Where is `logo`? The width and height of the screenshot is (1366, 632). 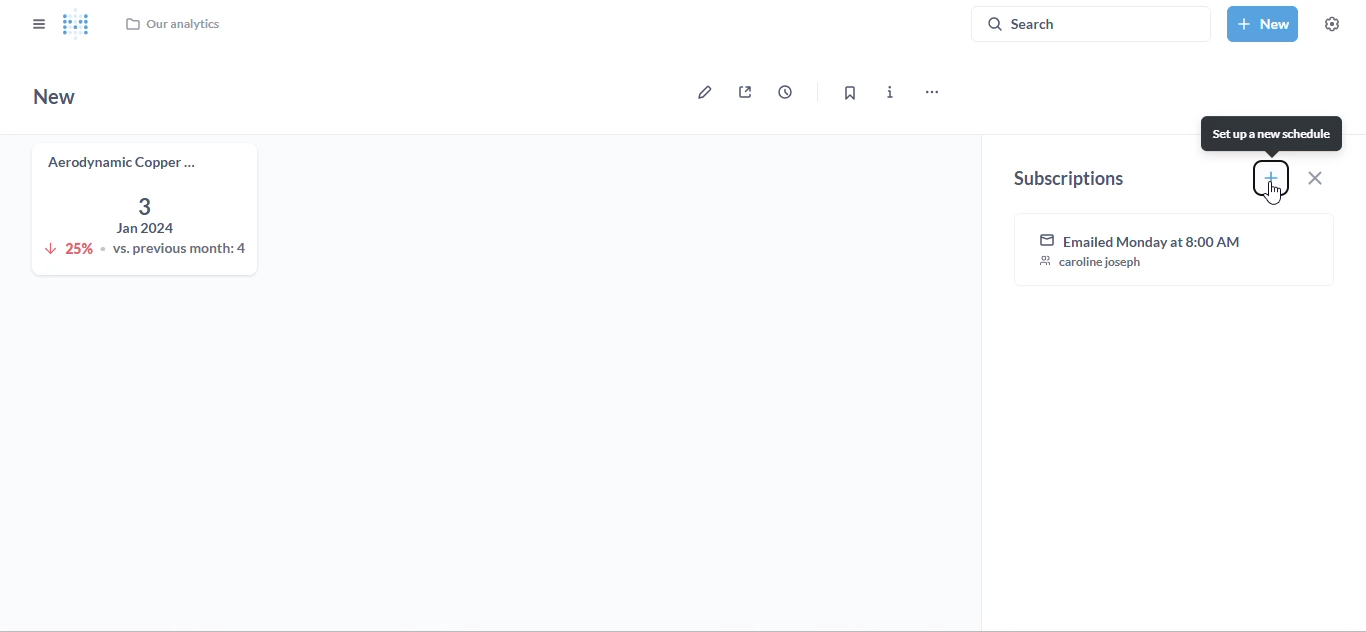 logo is located at coordinates (77, 23).